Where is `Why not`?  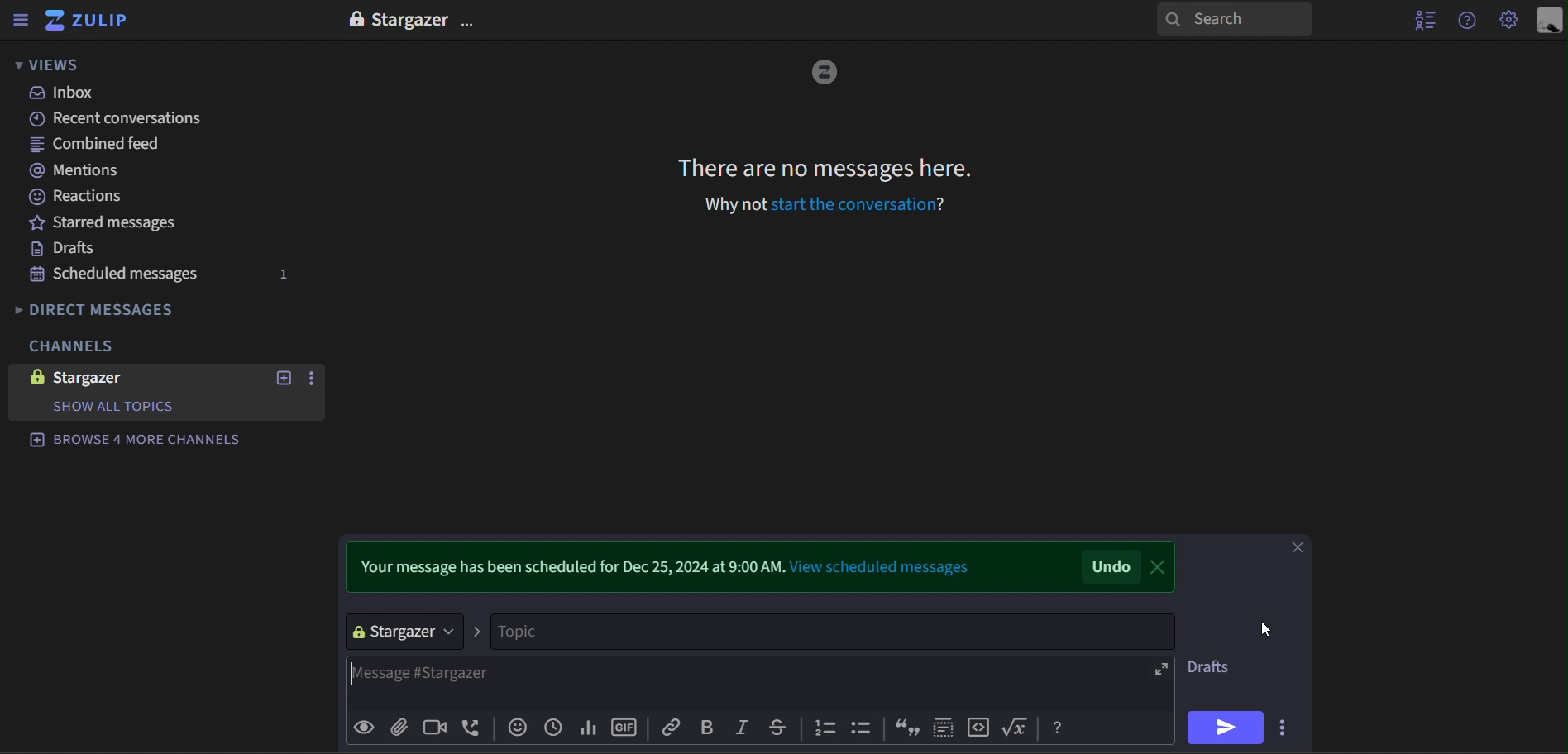 Why not is located at coordinates (726, 206).